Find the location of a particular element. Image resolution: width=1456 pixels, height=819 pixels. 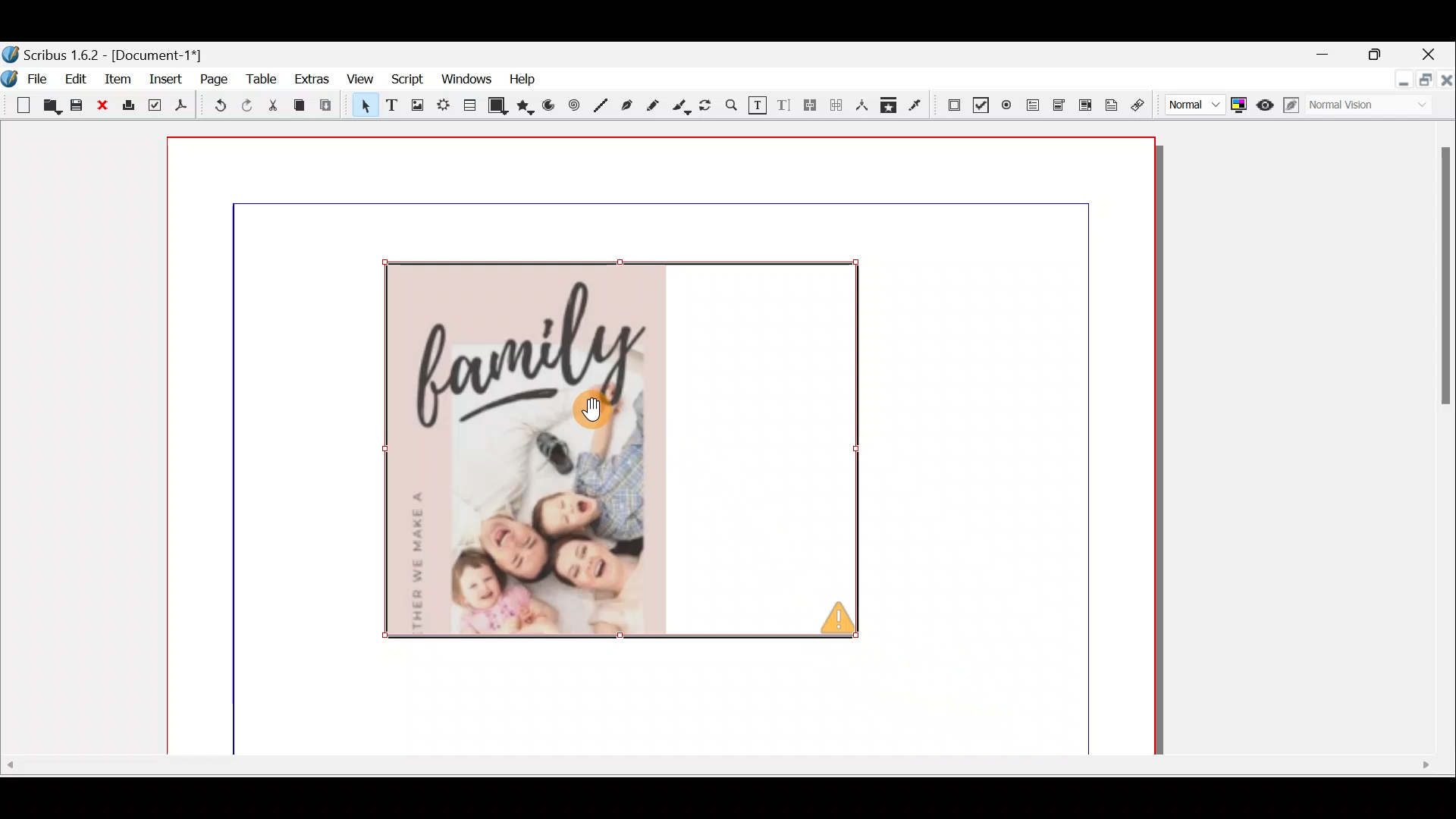

Print is located at coordinates (130, 109).